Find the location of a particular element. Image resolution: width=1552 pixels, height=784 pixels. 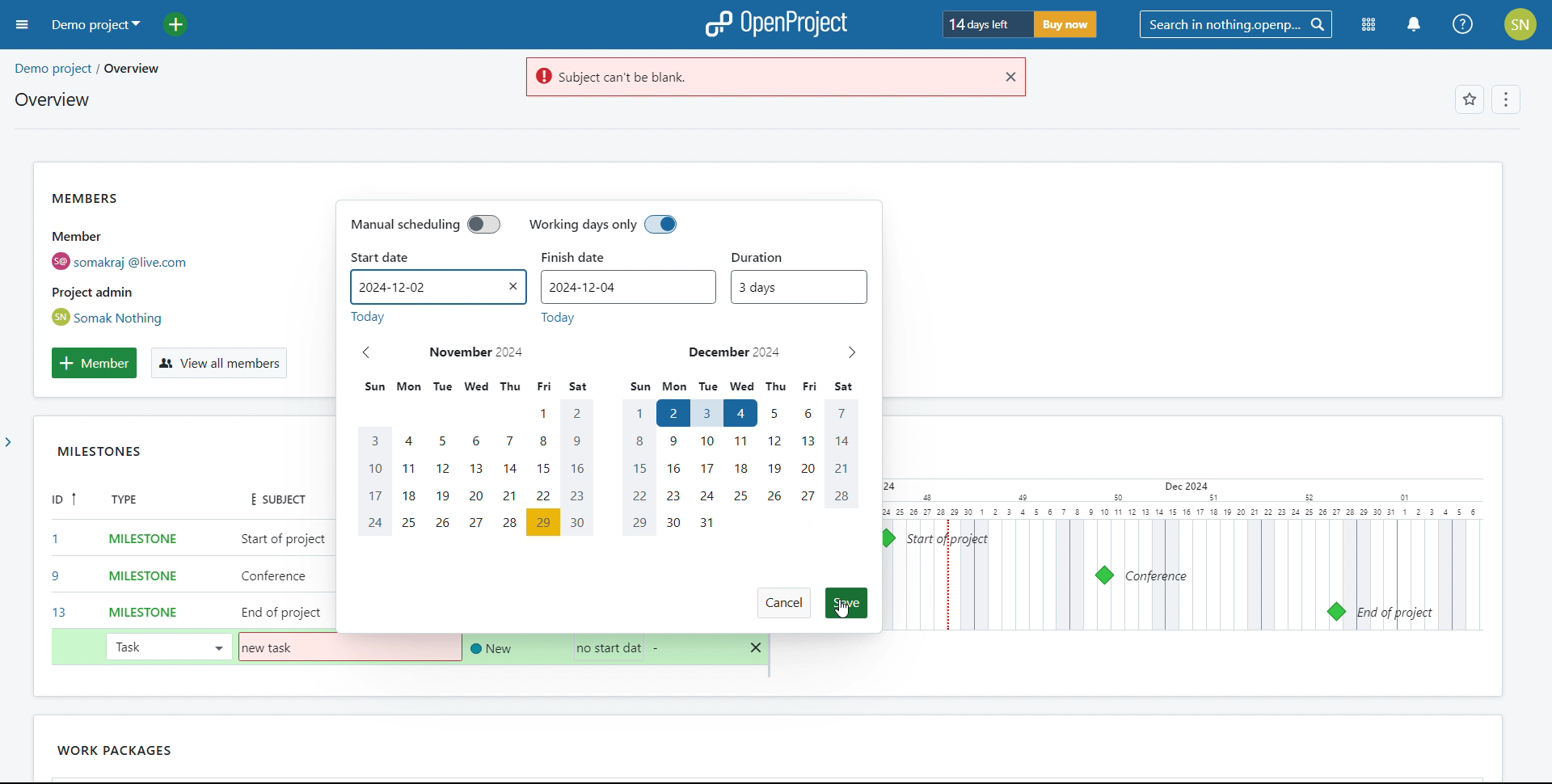

members is located at coordinates (149, 258).